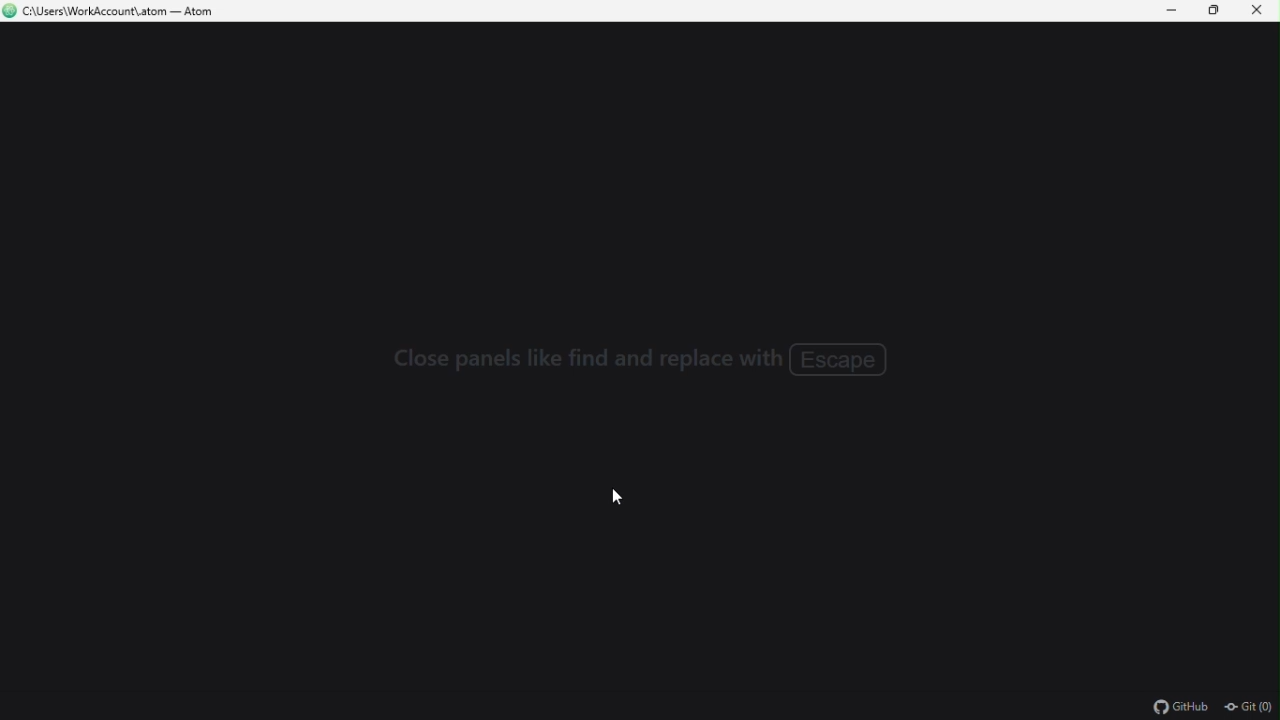  What do you see at coordinates (619, 500) in the screenshot?
I see `cursor` at bounding box center [619, 500].